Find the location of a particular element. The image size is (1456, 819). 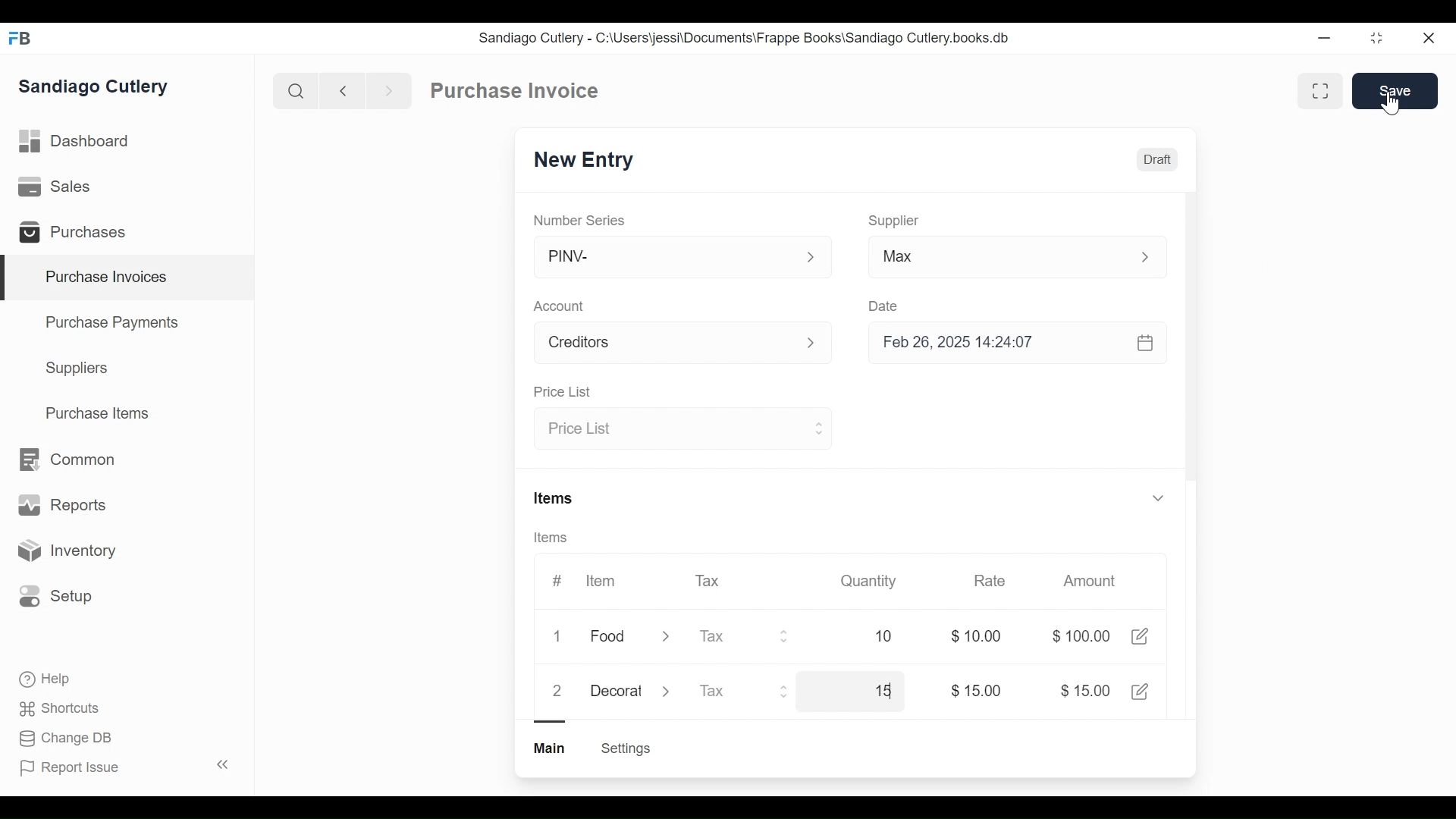

Account is located at coordinates (664, 345).